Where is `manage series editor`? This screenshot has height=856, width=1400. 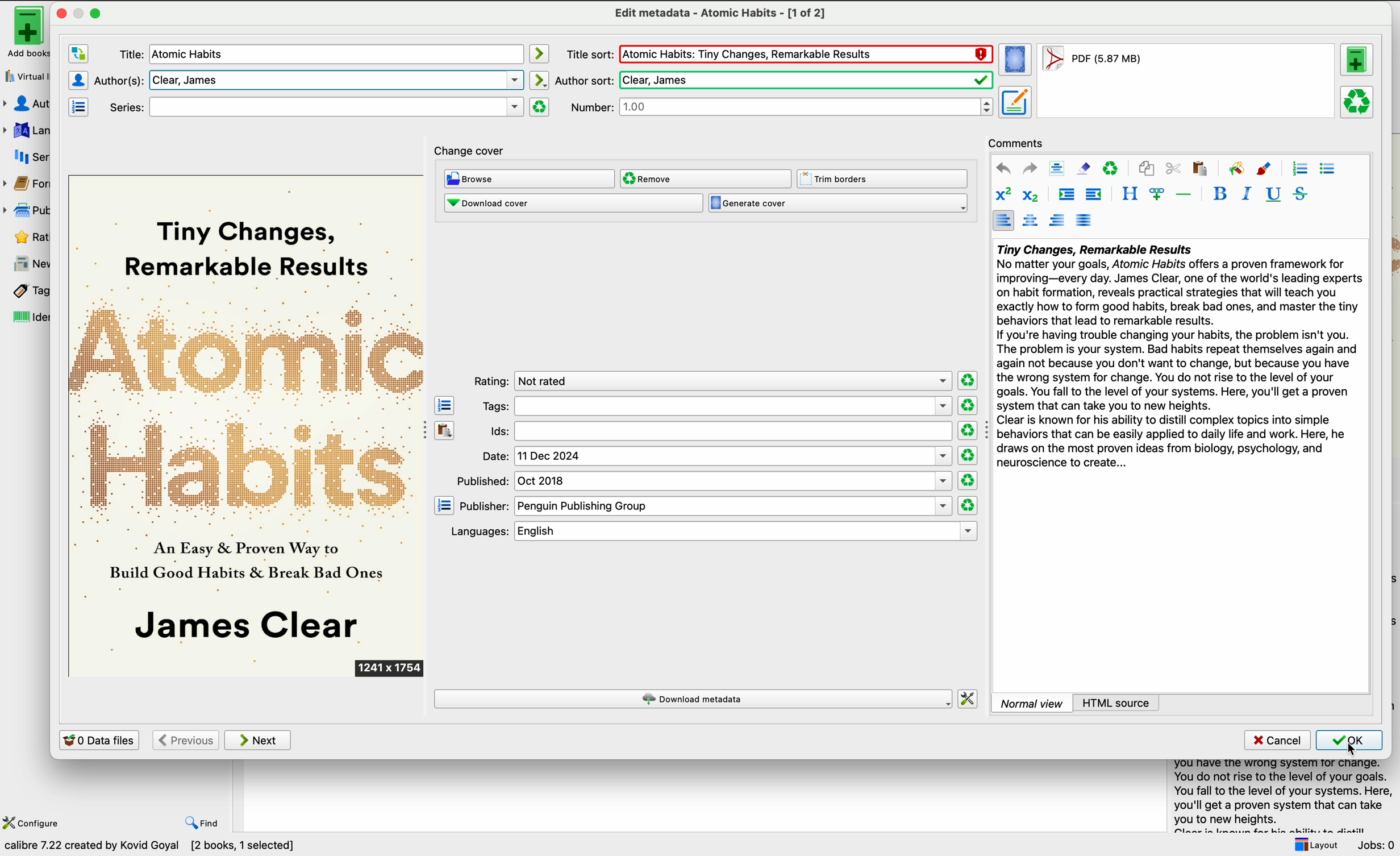
manage series editor is located at coordinates (81, 107).